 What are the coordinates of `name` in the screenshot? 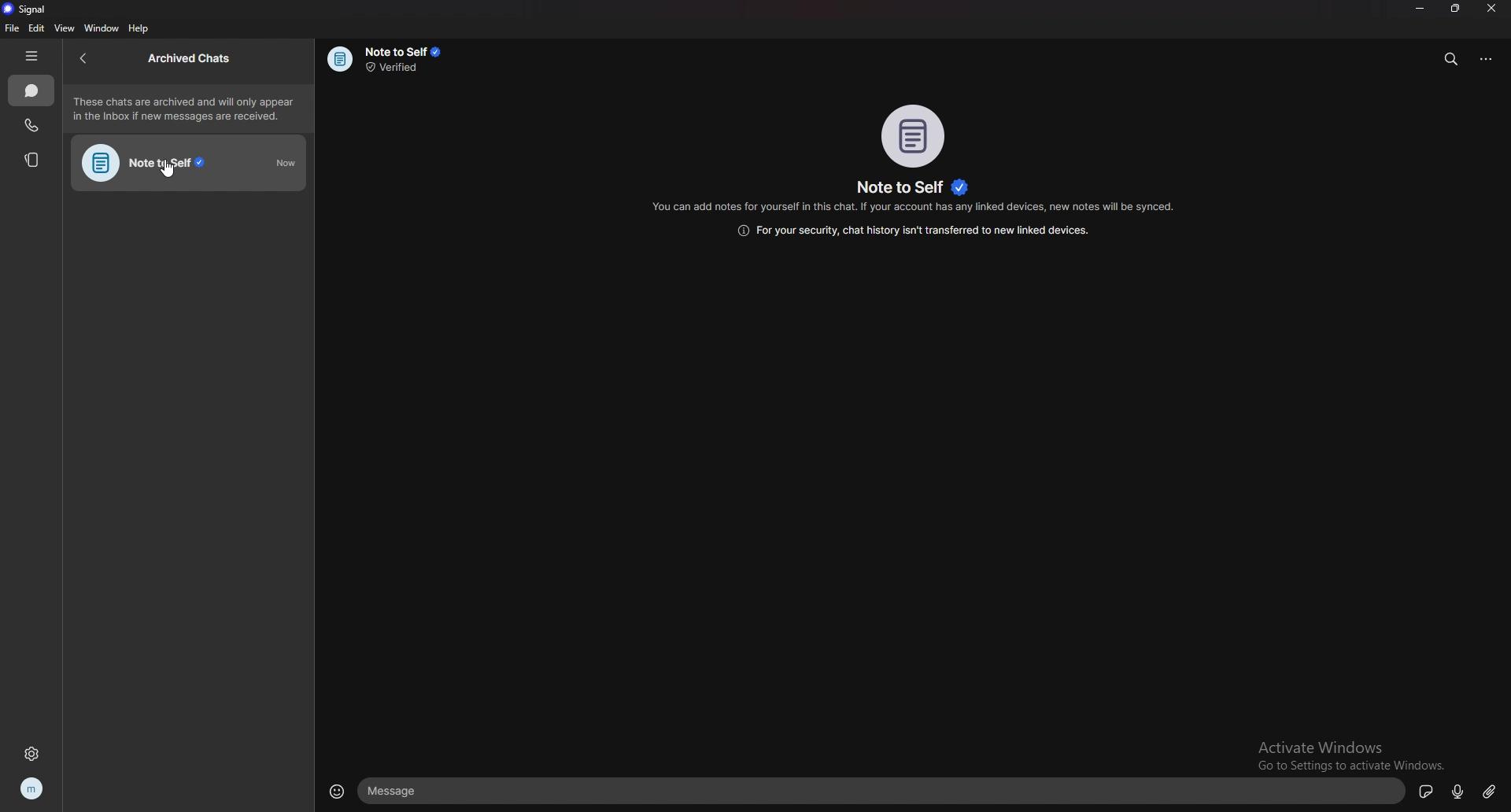 It's located at (918, 186).